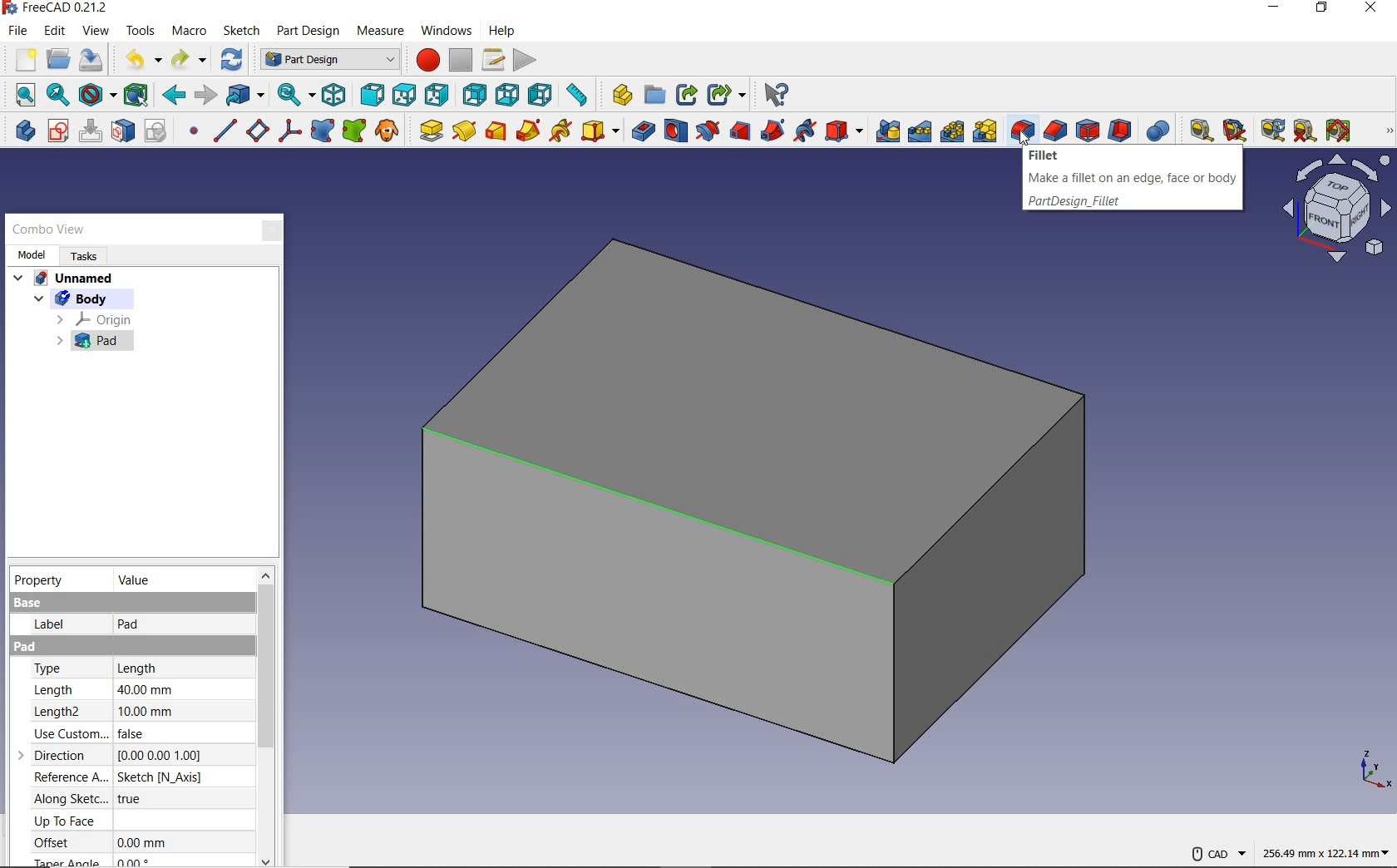  Describe the element at coordinates (1389, 131) in the screenshot. I see `More tools` at that location.